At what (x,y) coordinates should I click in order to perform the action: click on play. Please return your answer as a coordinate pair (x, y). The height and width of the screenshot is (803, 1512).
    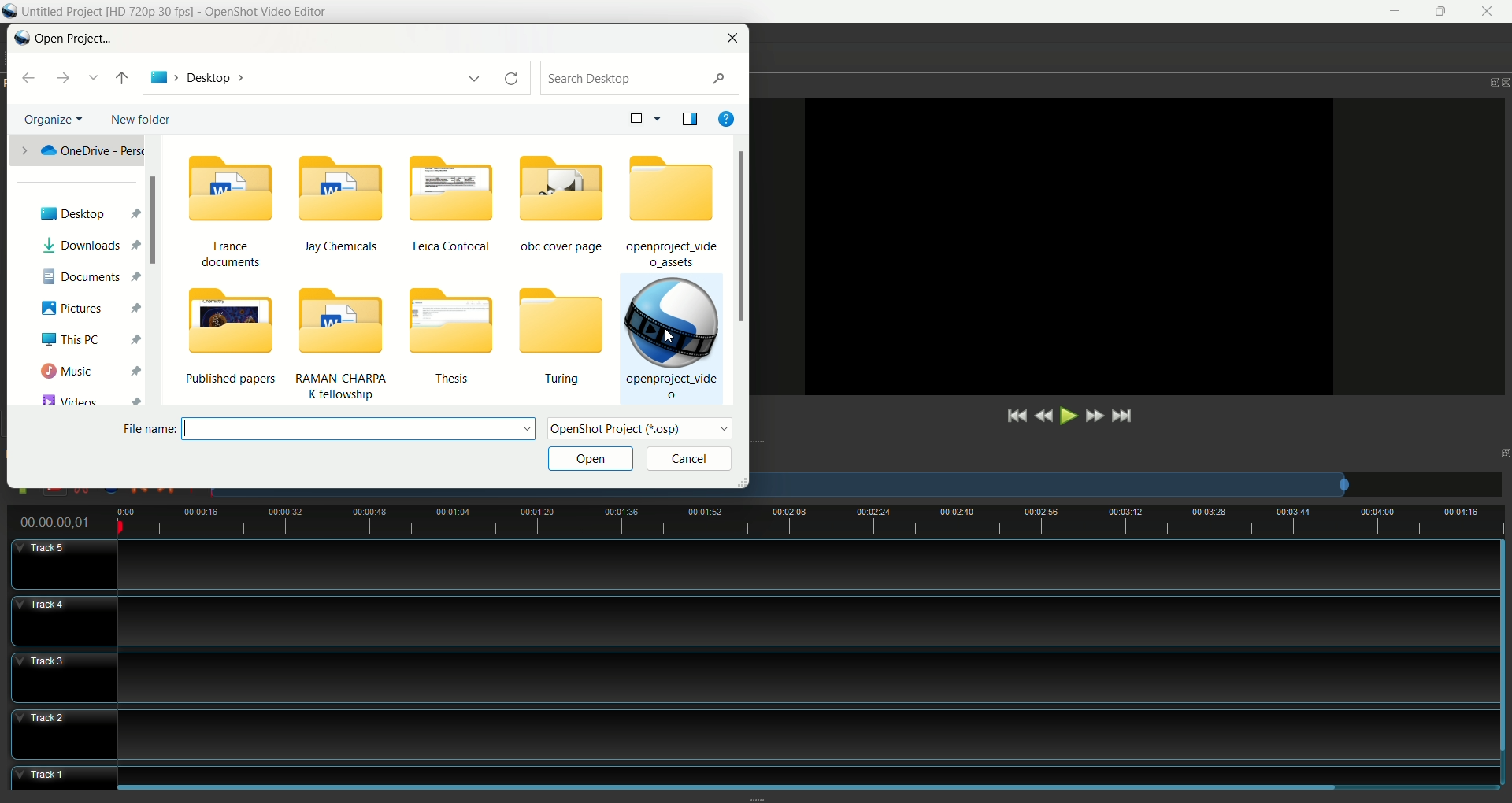
    Looking at the image, I should click on (1065, 417).